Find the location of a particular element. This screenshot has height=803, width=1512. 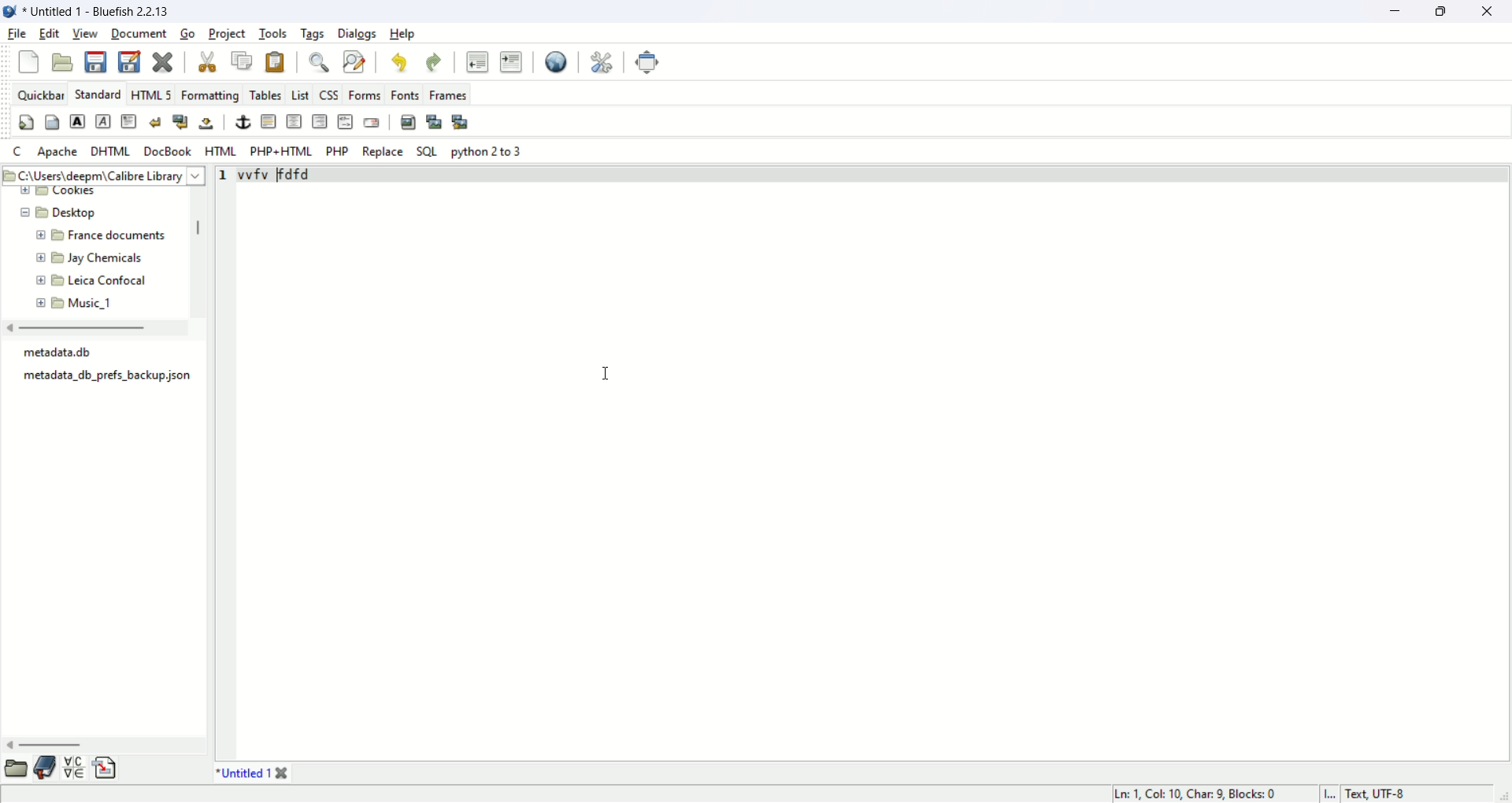

emphasis is located at coordinates (102, 121).